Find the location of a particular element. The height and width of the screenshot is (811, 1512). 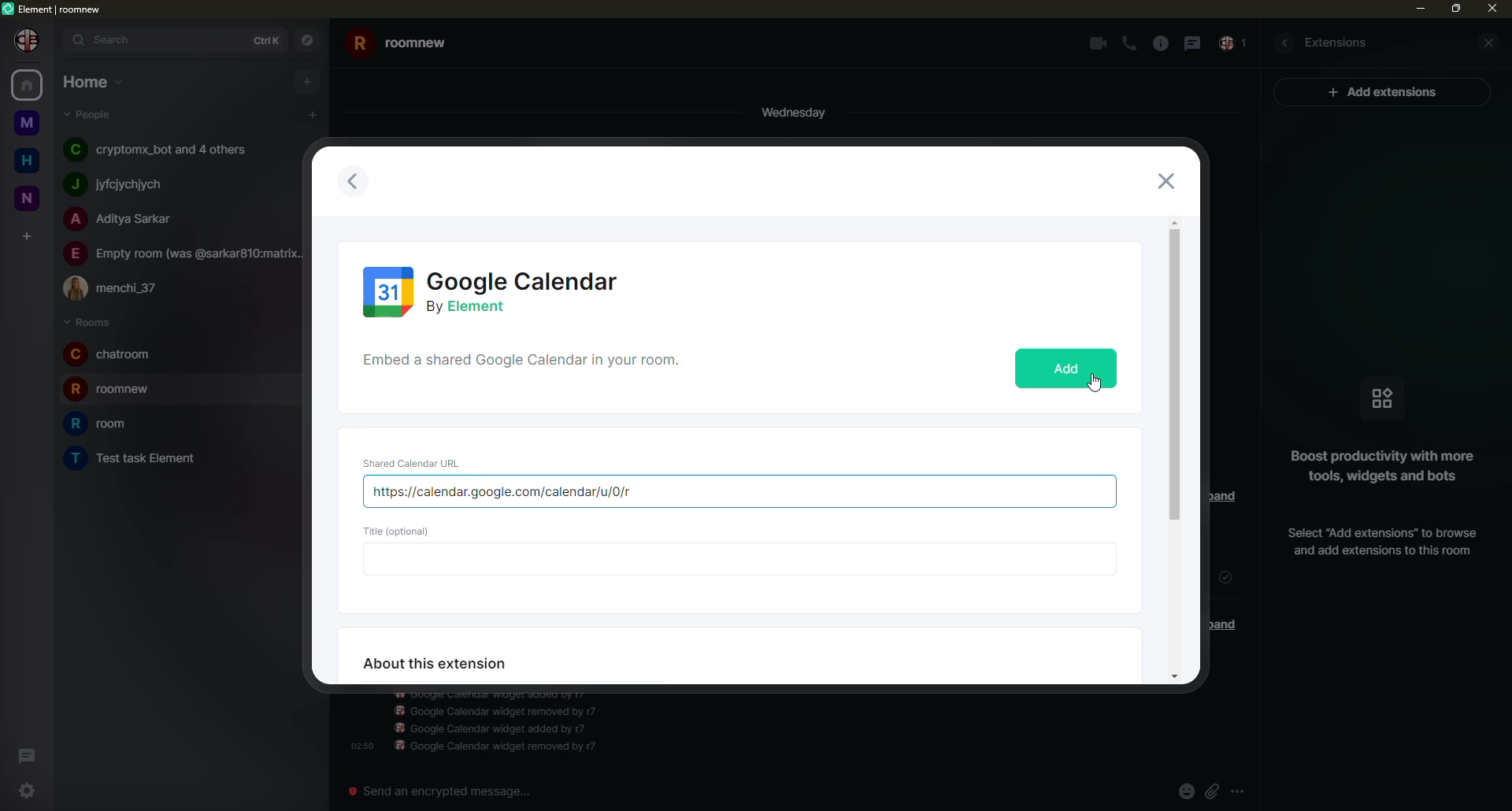

home is located at coordinates (27, 85).